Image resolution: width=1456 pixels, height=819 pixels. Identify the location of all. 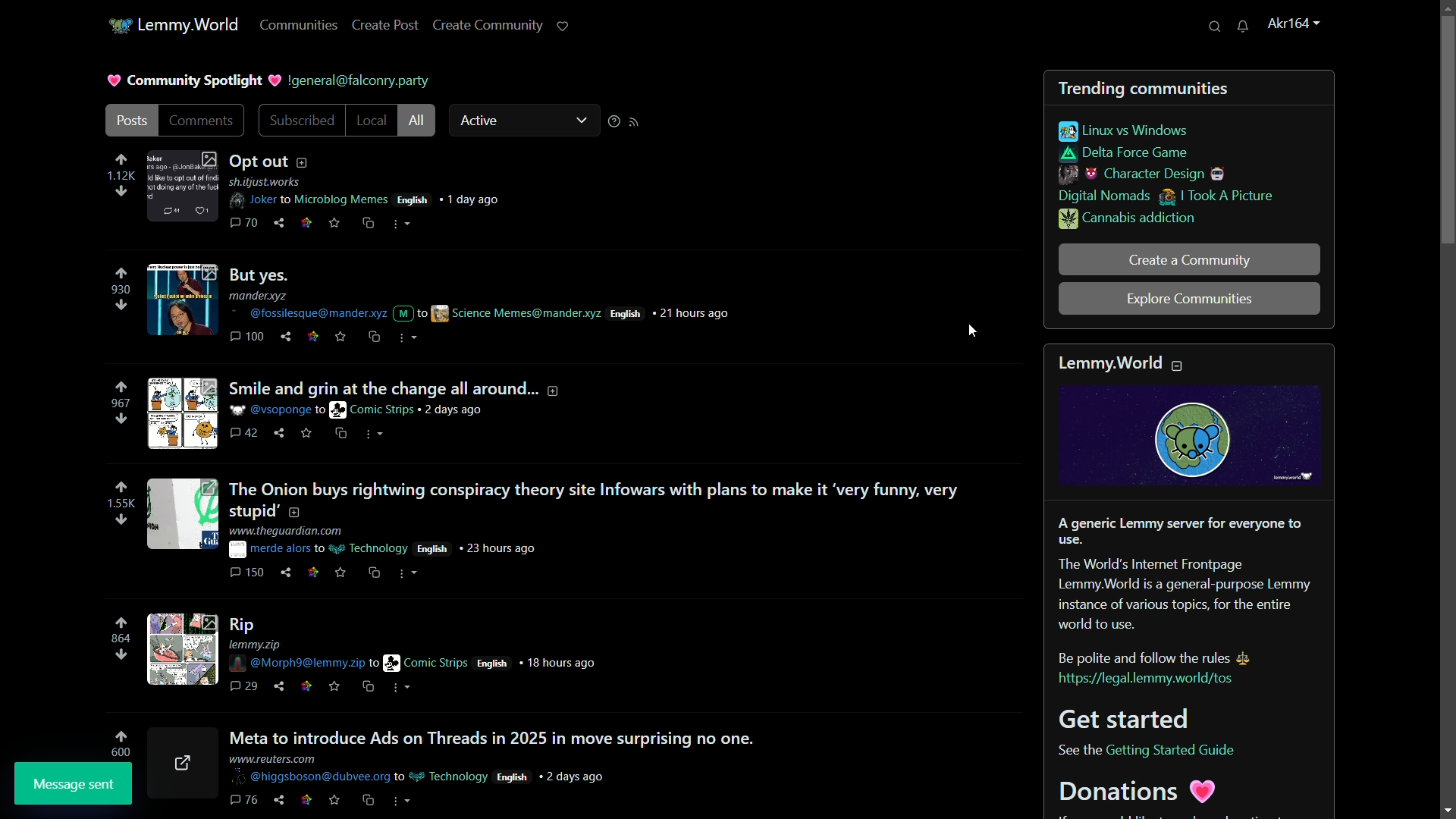
(416, 121).